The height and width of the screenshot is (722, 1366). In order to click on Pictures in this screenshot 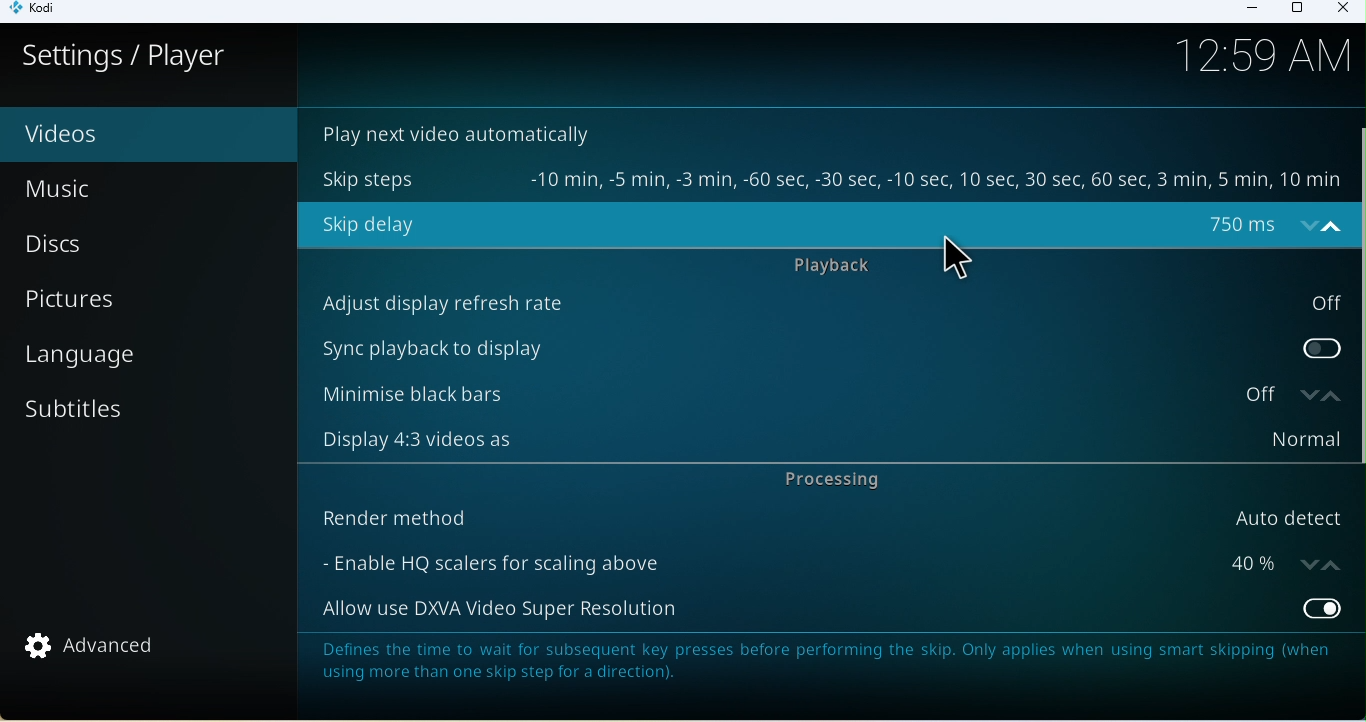, I will do `click(151, 300)`.